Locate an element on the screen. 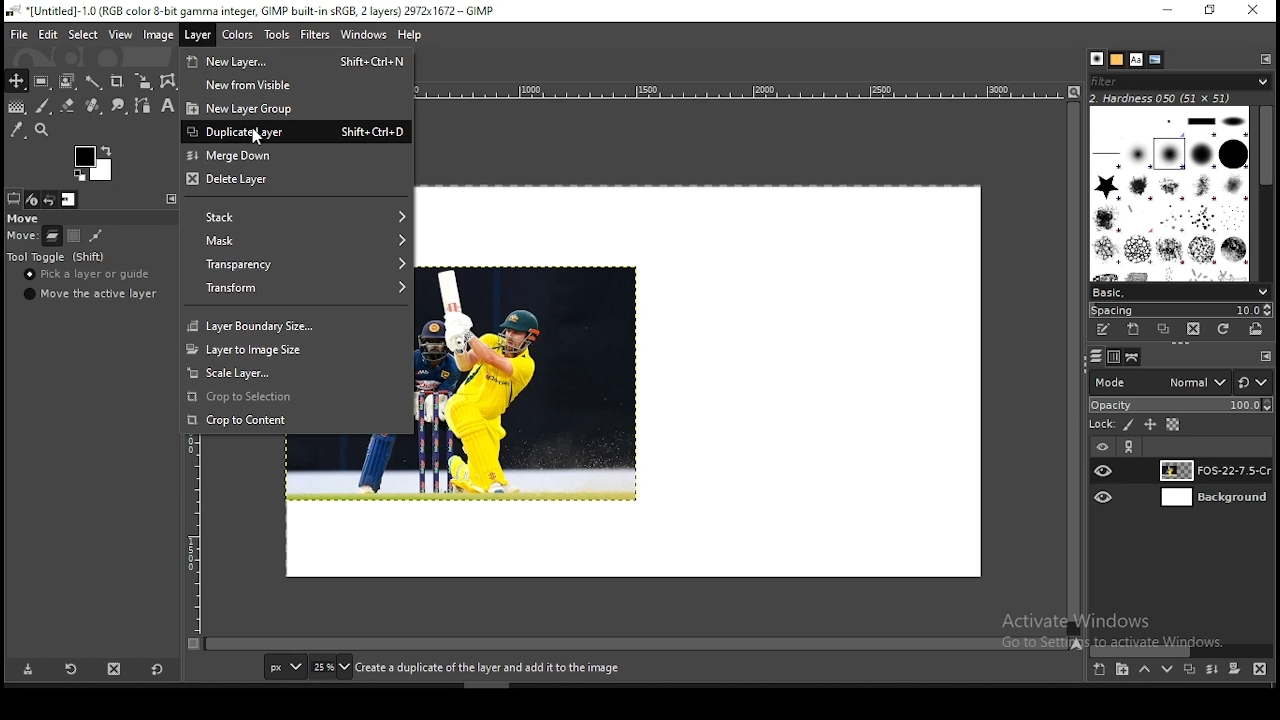 Image resolution: width=1280 pixels, height=720 pixels. heal tool is located at coordinates (91, 107).